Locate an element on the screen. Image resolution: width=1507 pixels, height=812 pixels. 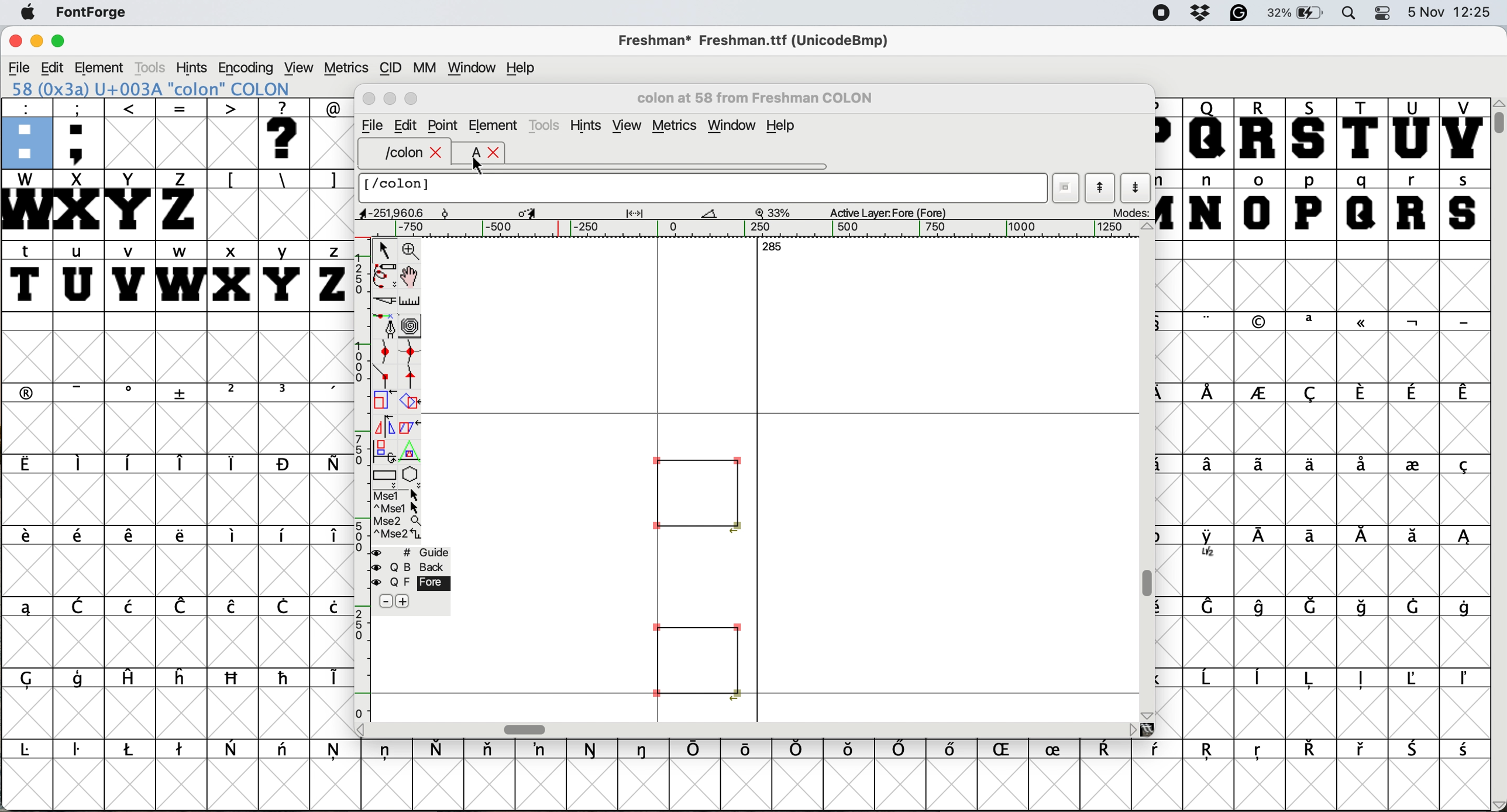
symbol is located at coordinates (287, 536).